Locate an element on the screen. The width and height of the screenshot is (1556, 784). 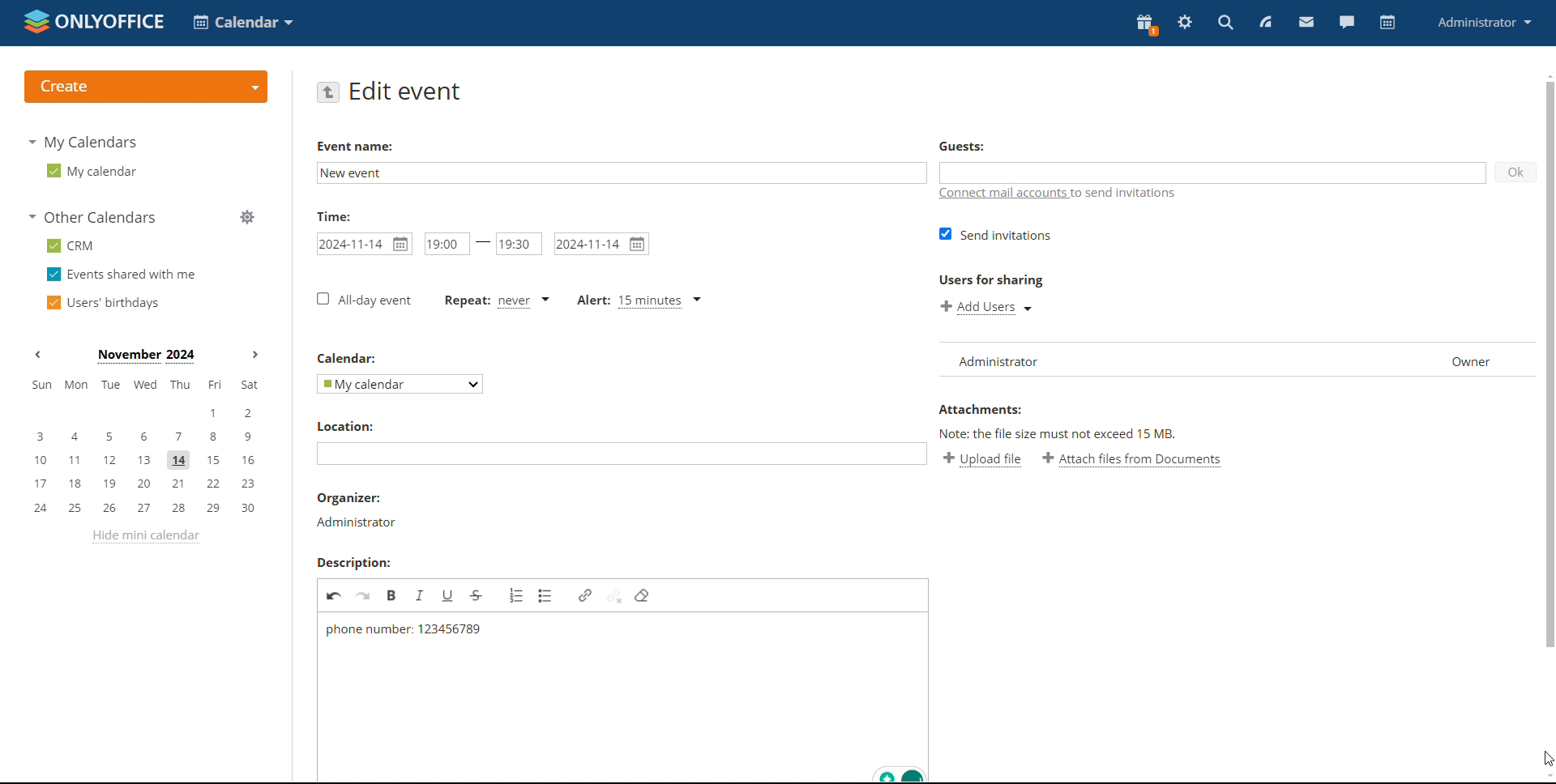
select calendar is located at coordinates (401, 384).